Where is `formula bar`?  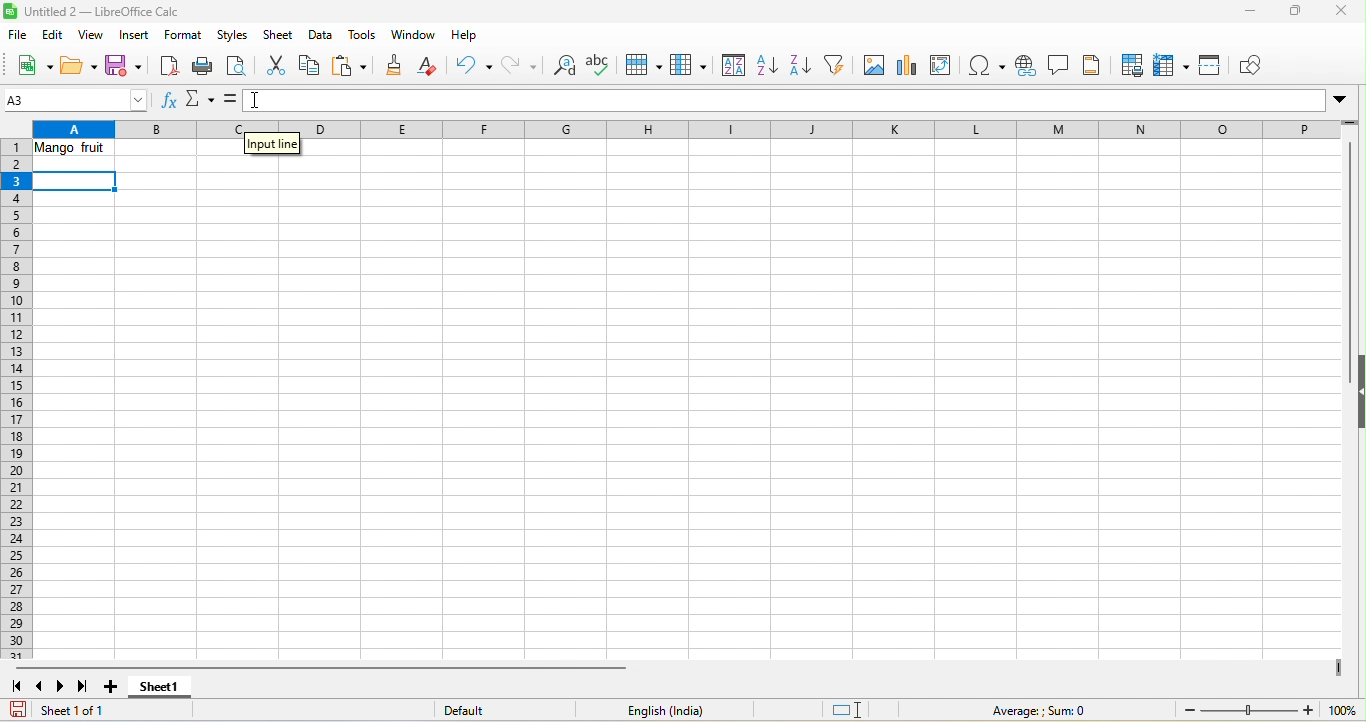
formula bar is located at coordinates (834, 102).